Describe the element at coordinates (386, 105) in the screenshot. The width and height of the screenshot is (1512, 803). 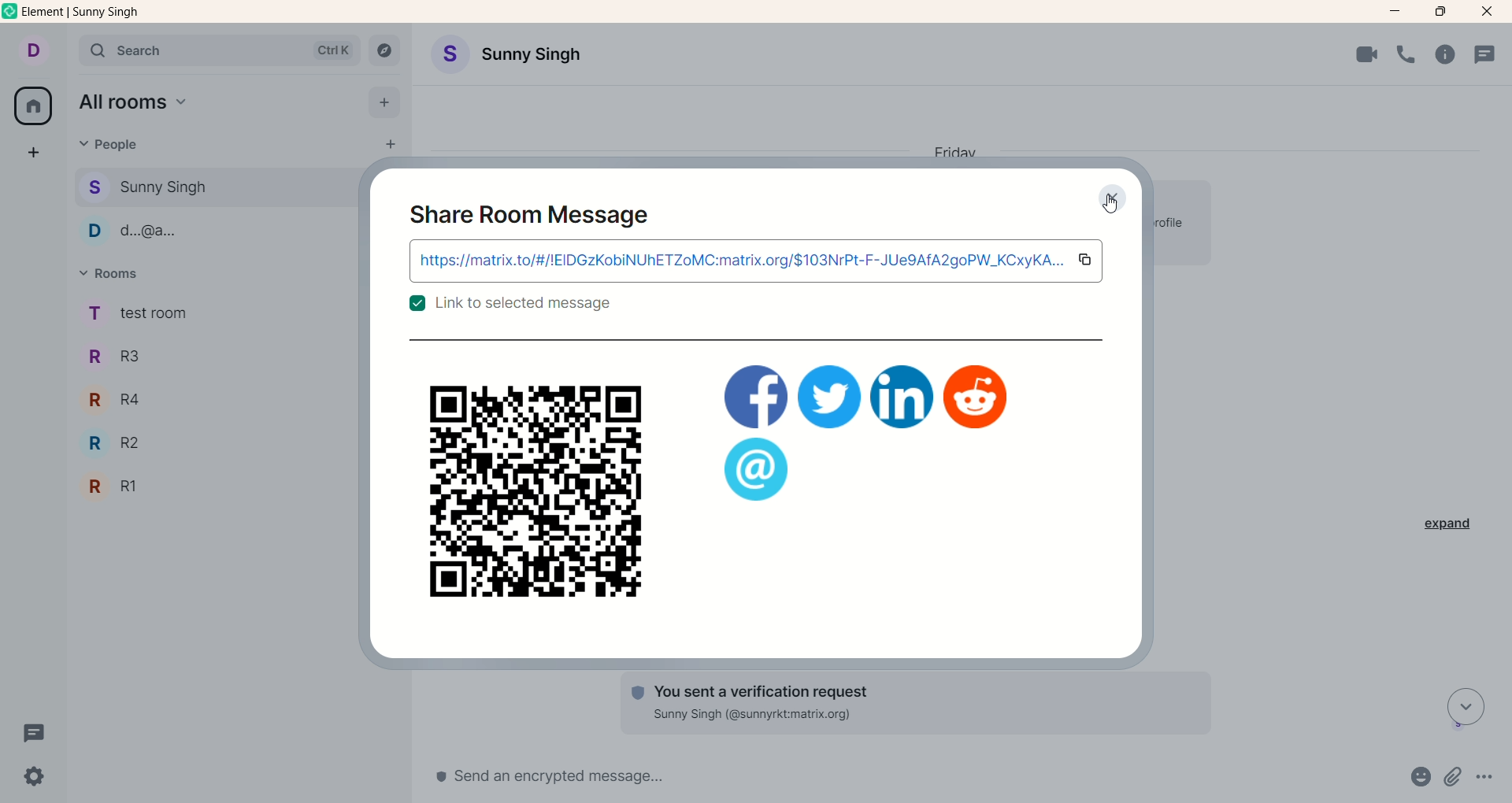
I see `add` at that location.